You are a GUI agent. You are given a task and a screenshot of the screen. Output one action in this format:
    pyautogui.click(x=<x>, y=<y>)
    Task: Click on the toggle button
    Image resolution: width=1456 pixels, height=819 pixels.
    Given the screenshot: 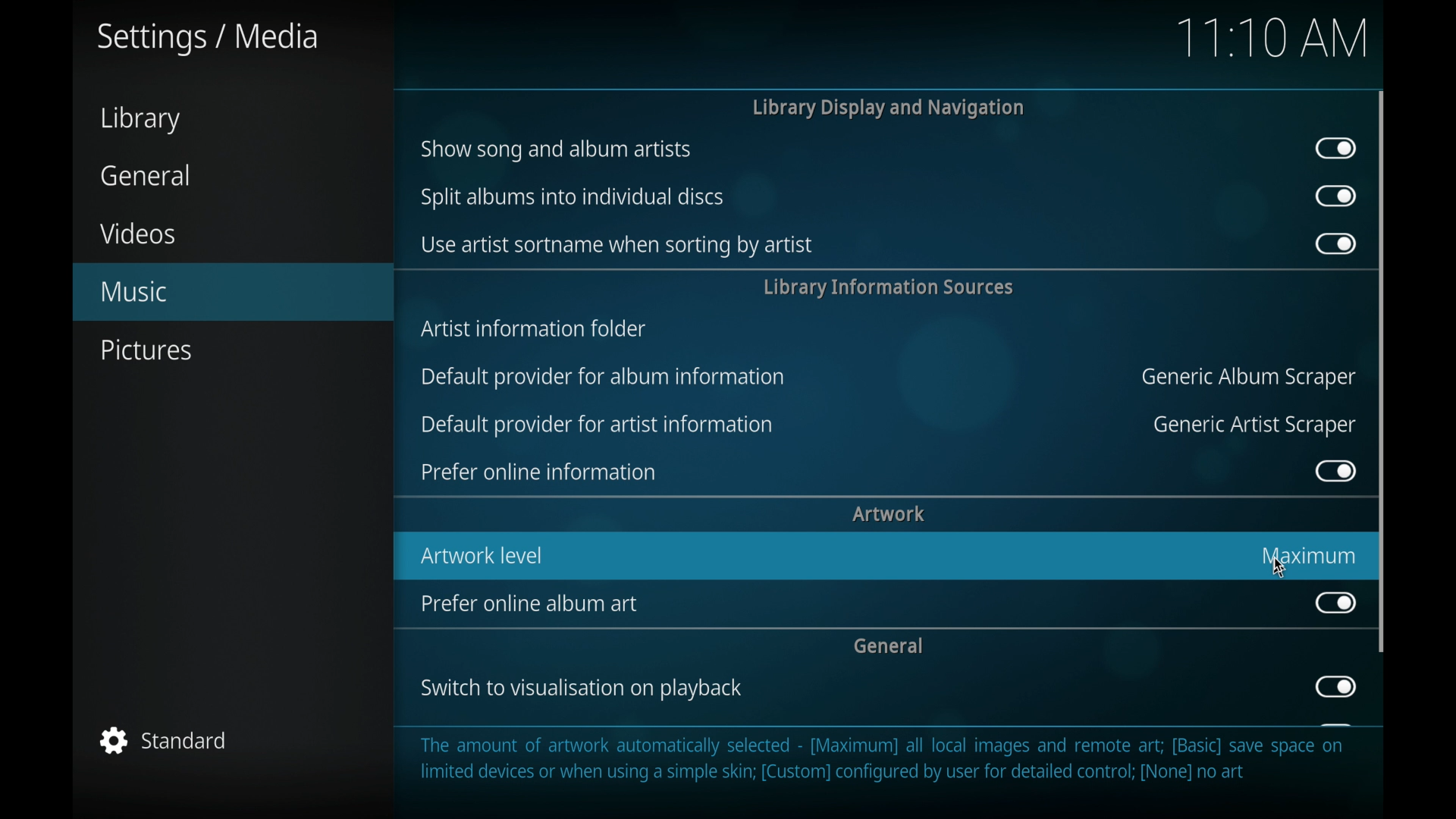 What is the action you would take?
    pyautogui.click(x=1335, y=686)
    